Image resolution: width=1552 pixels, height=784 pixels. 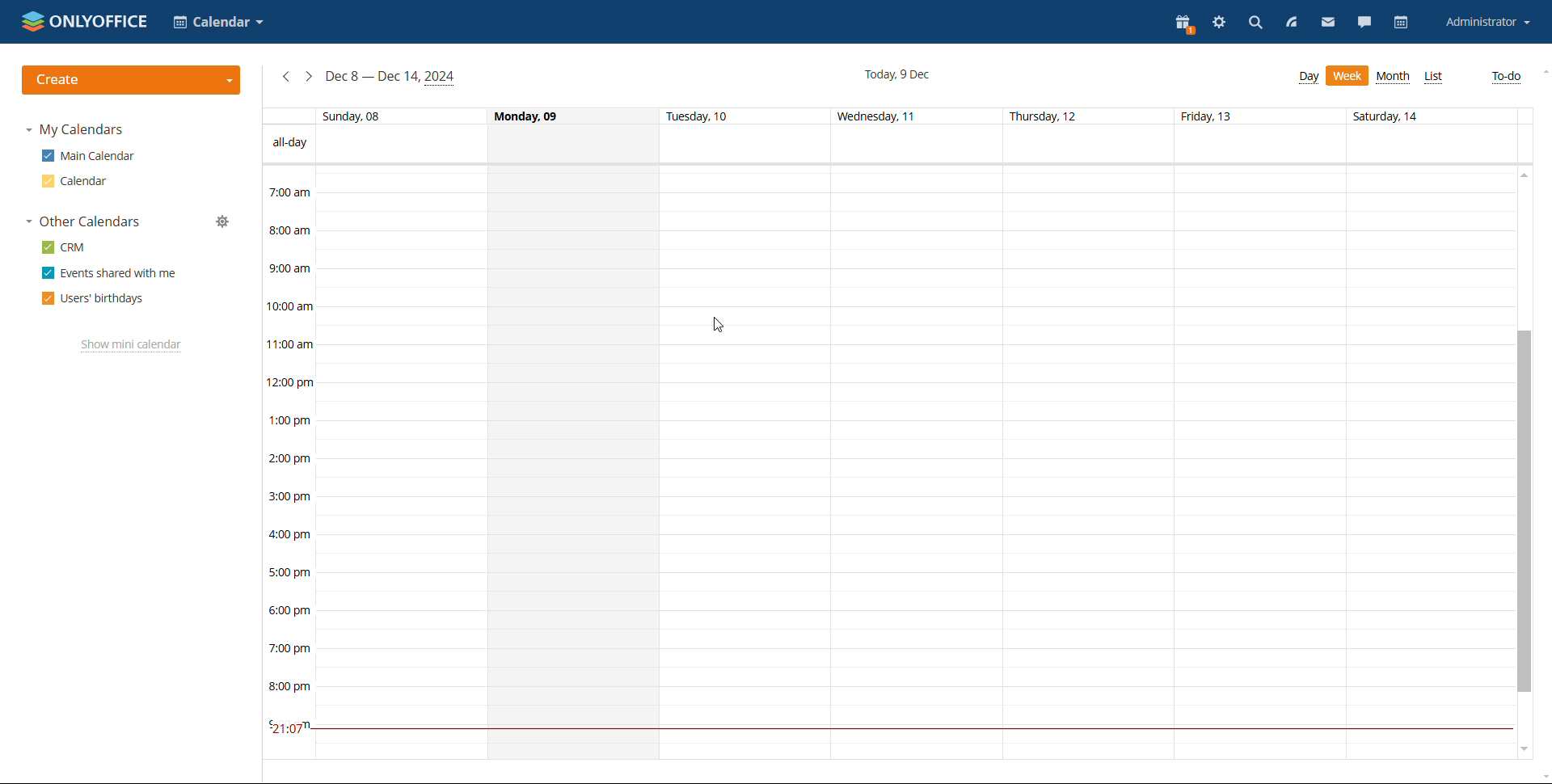 What do you see at coordinates (65, 247) in the screenshot?
I see `crm` at bounding box center [65, 247].